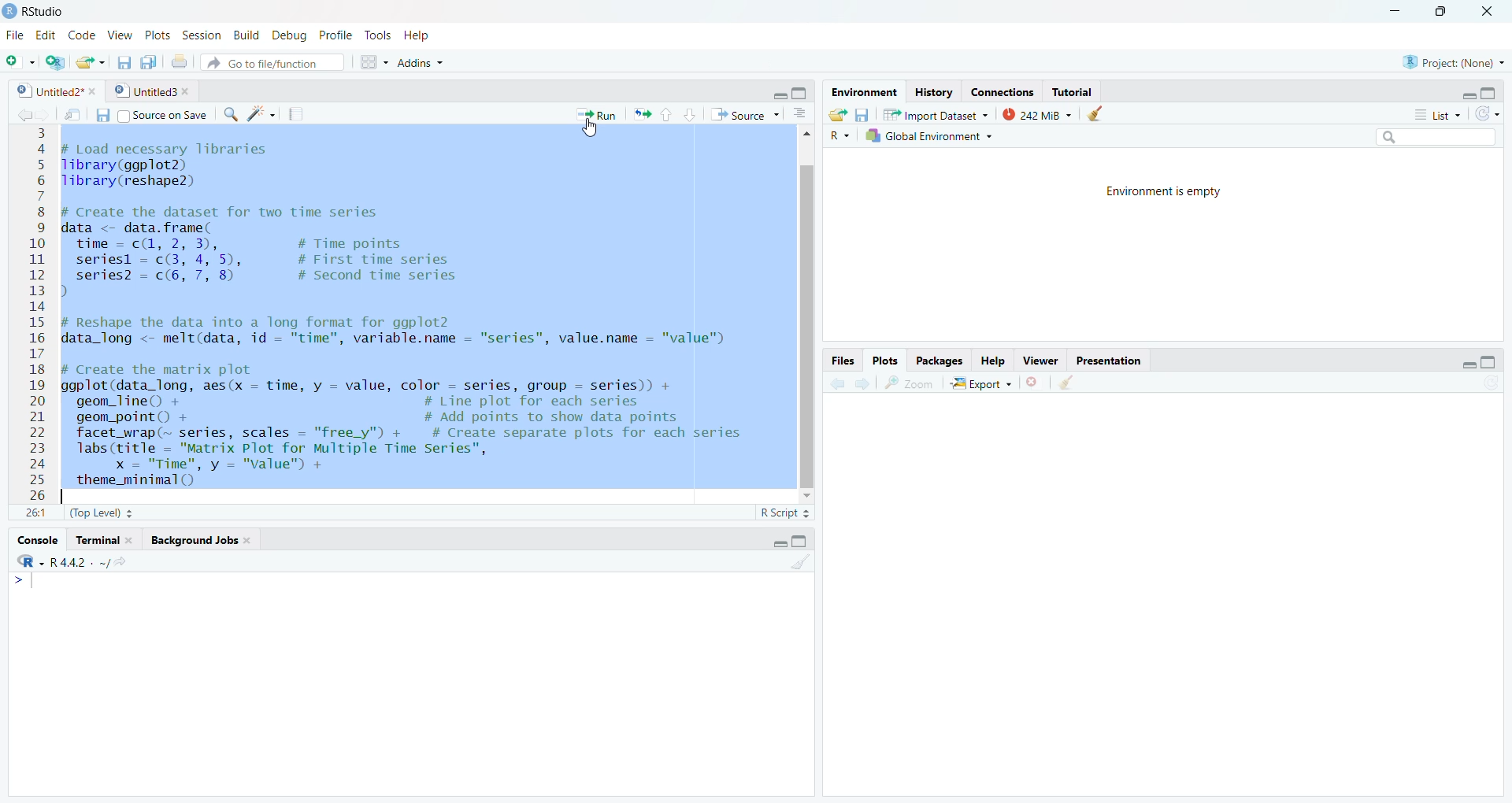 This screenshot has height=803, width=1512. Describe the element at coordinates (91, 61) in the screenshot. I see `open an existing file` at that location.